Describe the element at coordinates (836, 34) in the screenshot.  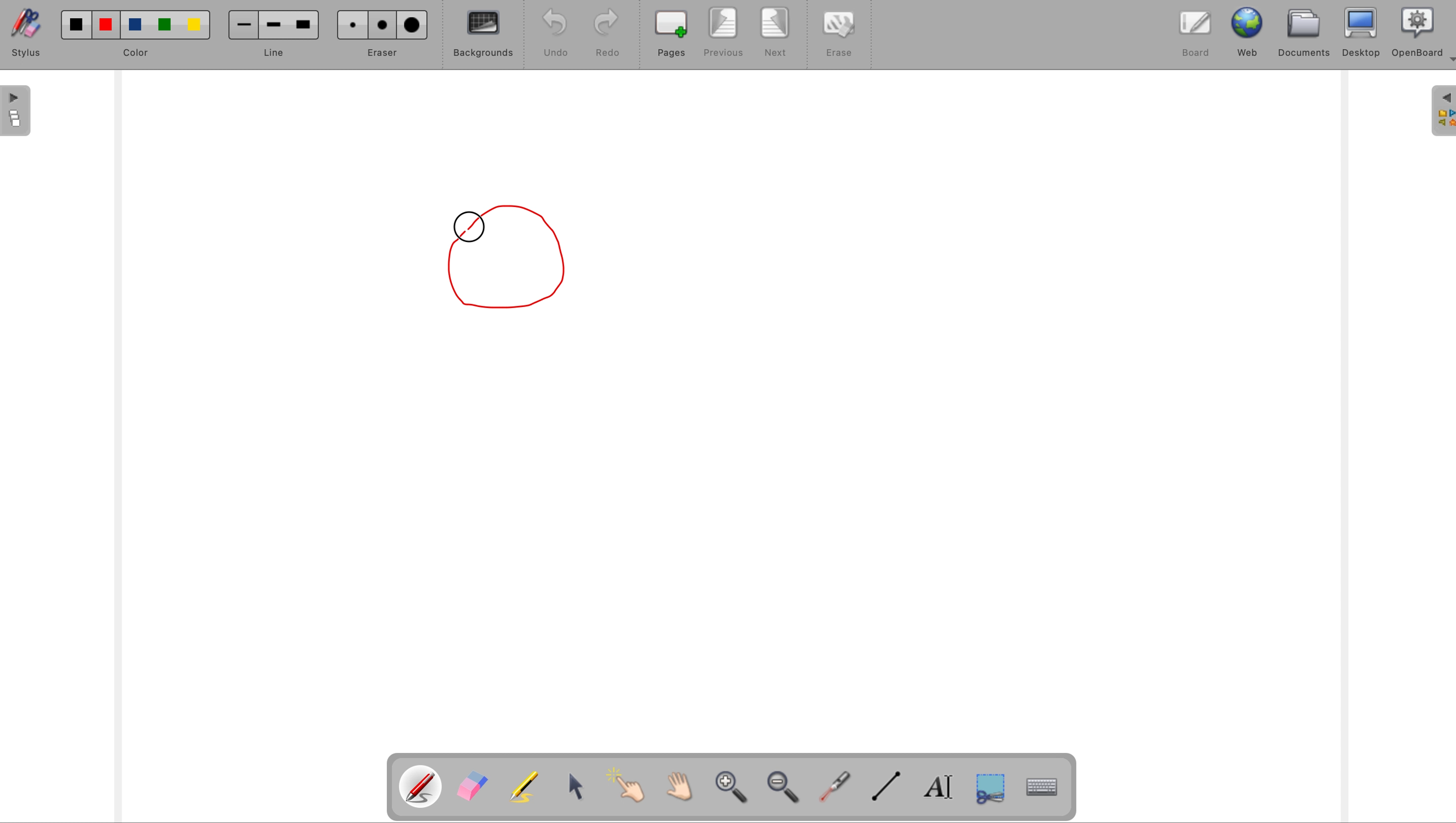
I see `erase` at that location.